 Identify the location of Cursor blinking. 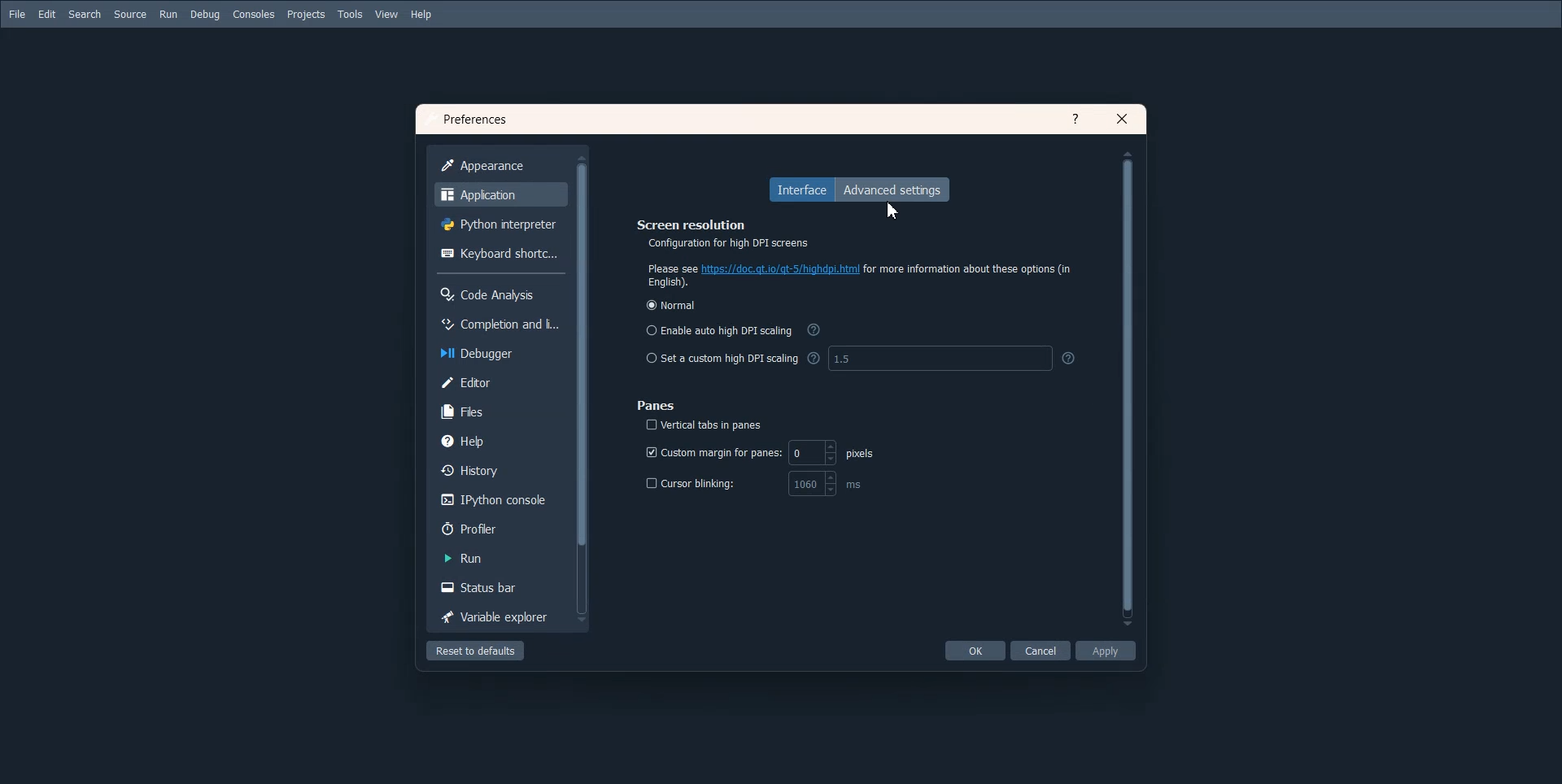
(759, 484).